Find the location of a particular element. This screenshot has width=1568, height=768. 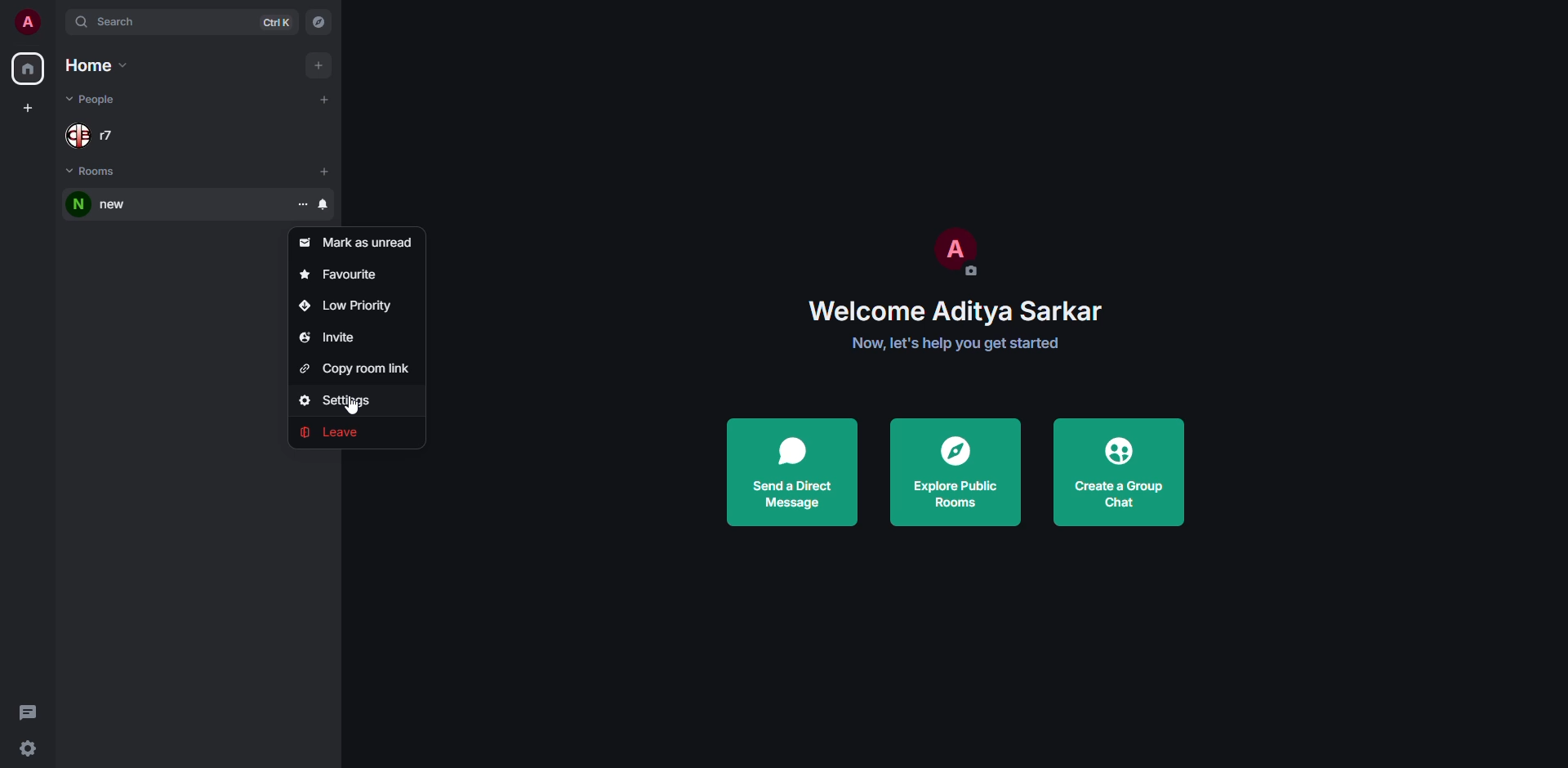

welcome Aditya Sarkar is located at coordinates (956, 311).